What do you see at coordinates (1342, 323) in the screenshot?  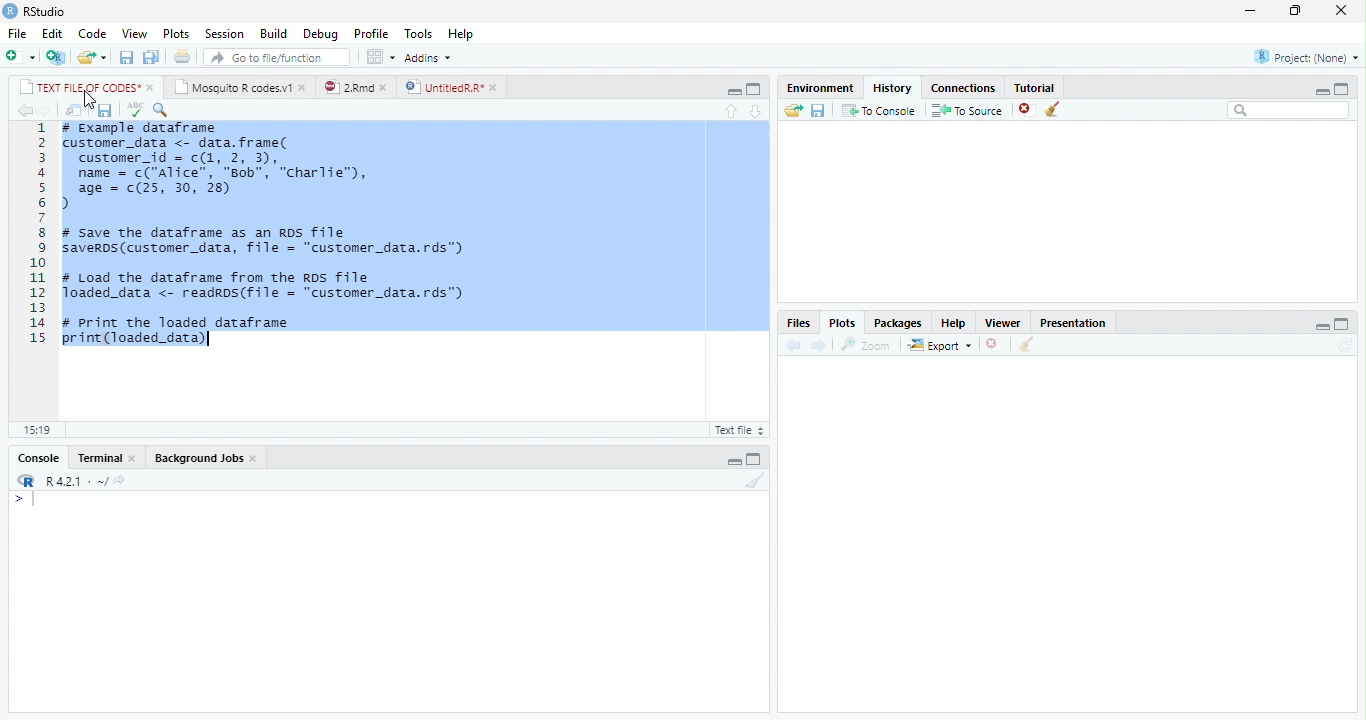 I see `maximize` at bounding box center [1342, 323].